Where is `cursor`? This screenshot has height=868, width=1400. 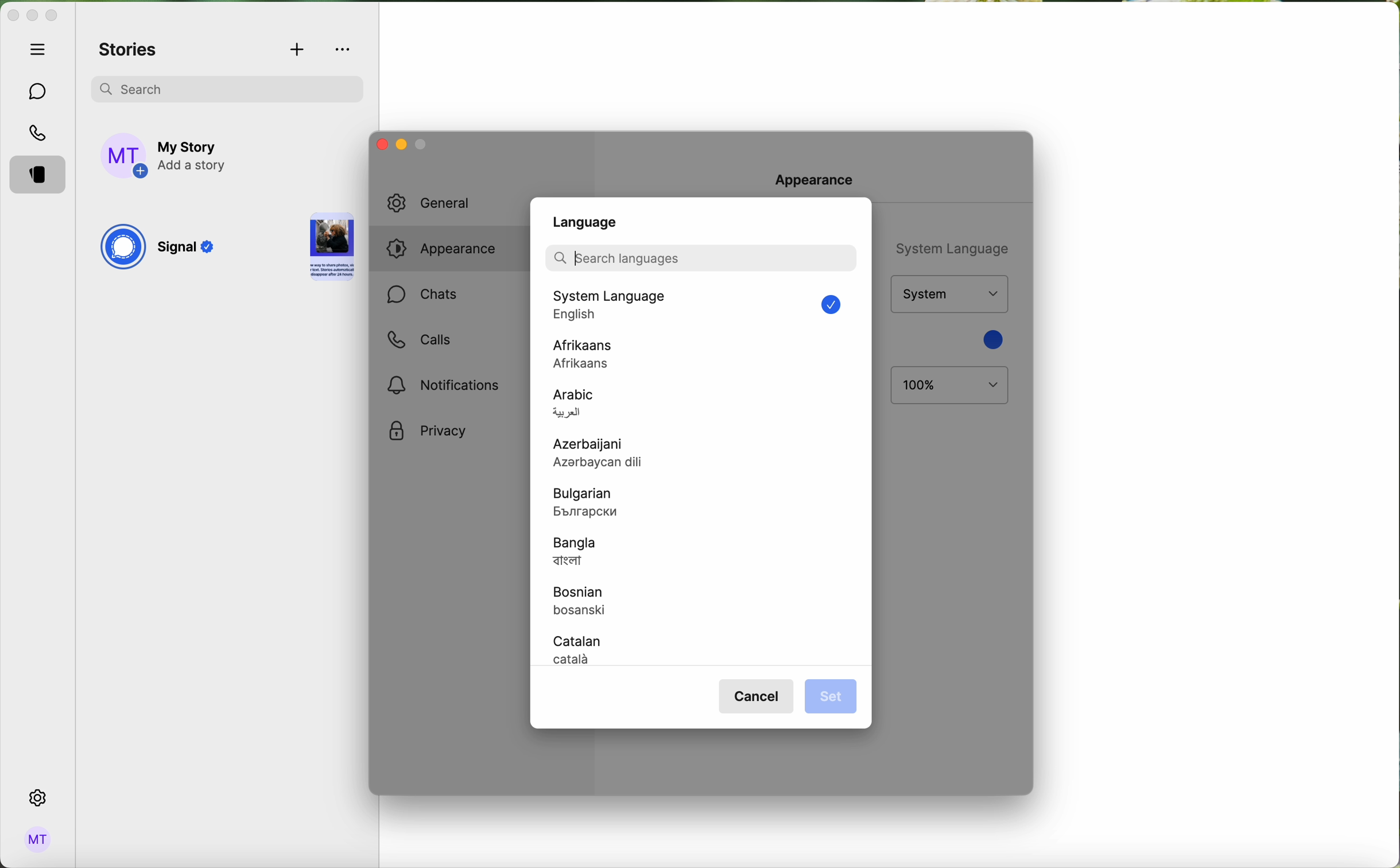 cursor is located at coordinates (577, 258).